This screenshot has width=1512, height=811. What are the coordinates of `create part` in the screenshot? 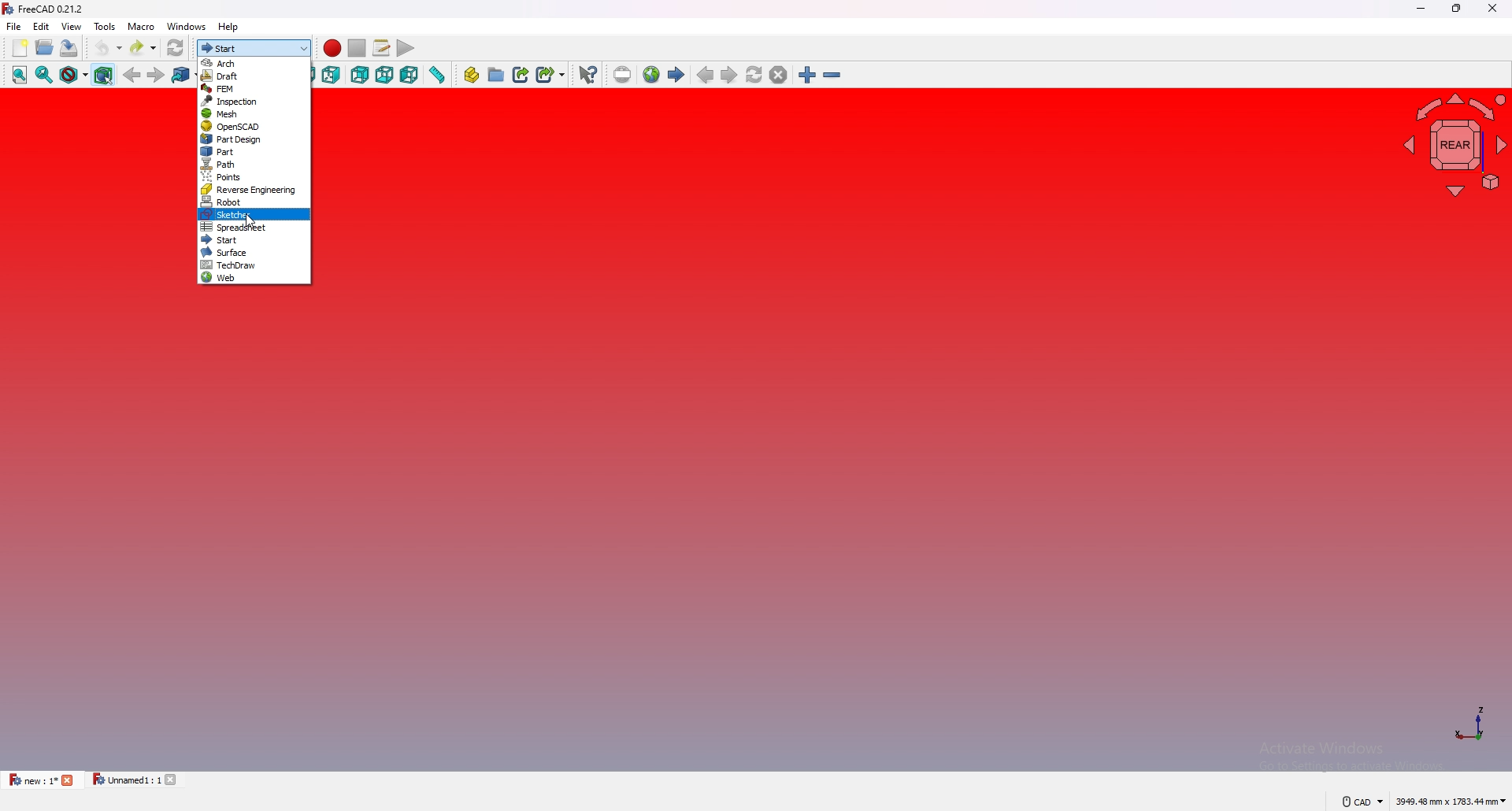 It's located at (471, 75).